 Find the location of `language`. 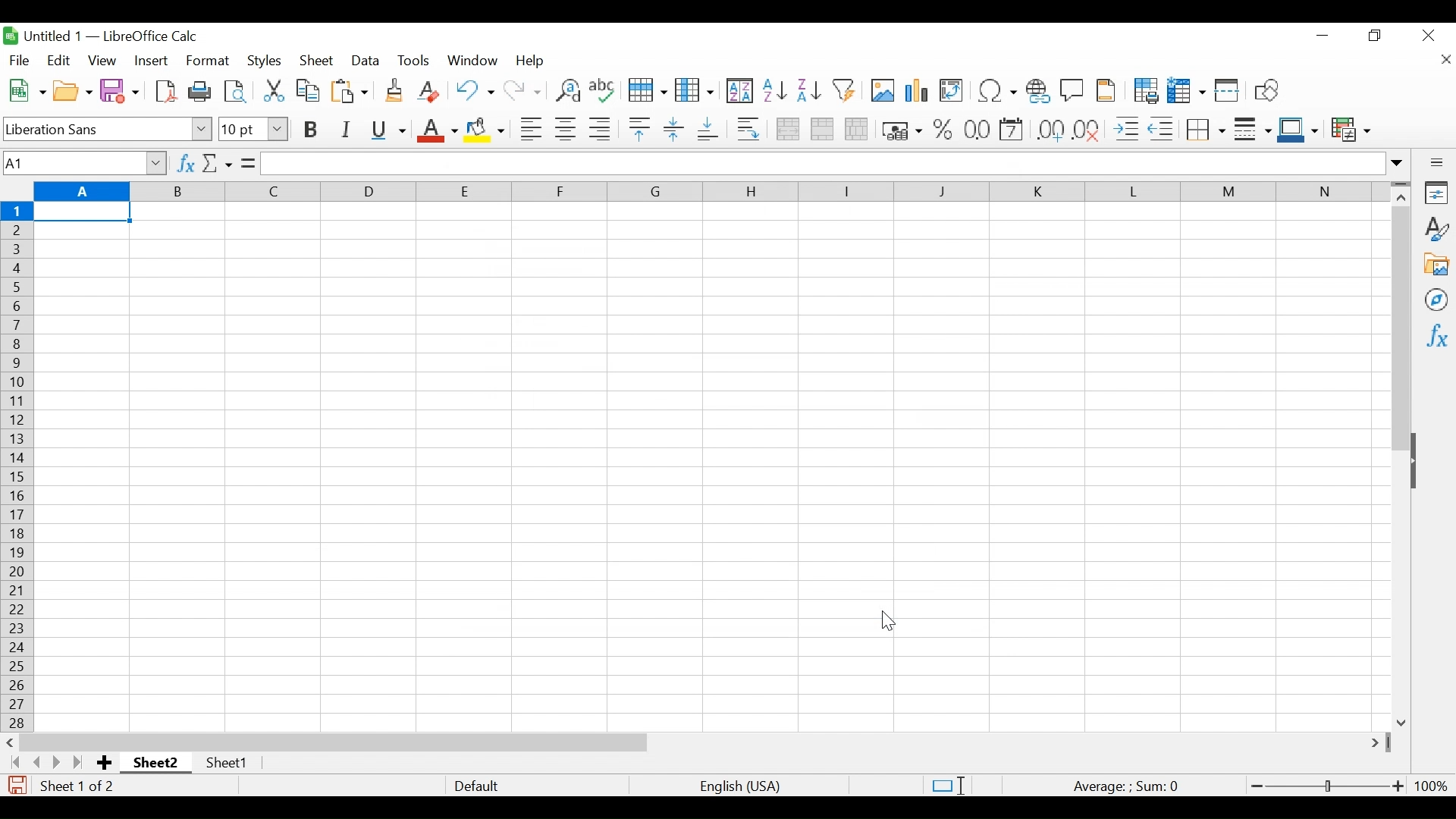

language is located at coordinates (741, 786).